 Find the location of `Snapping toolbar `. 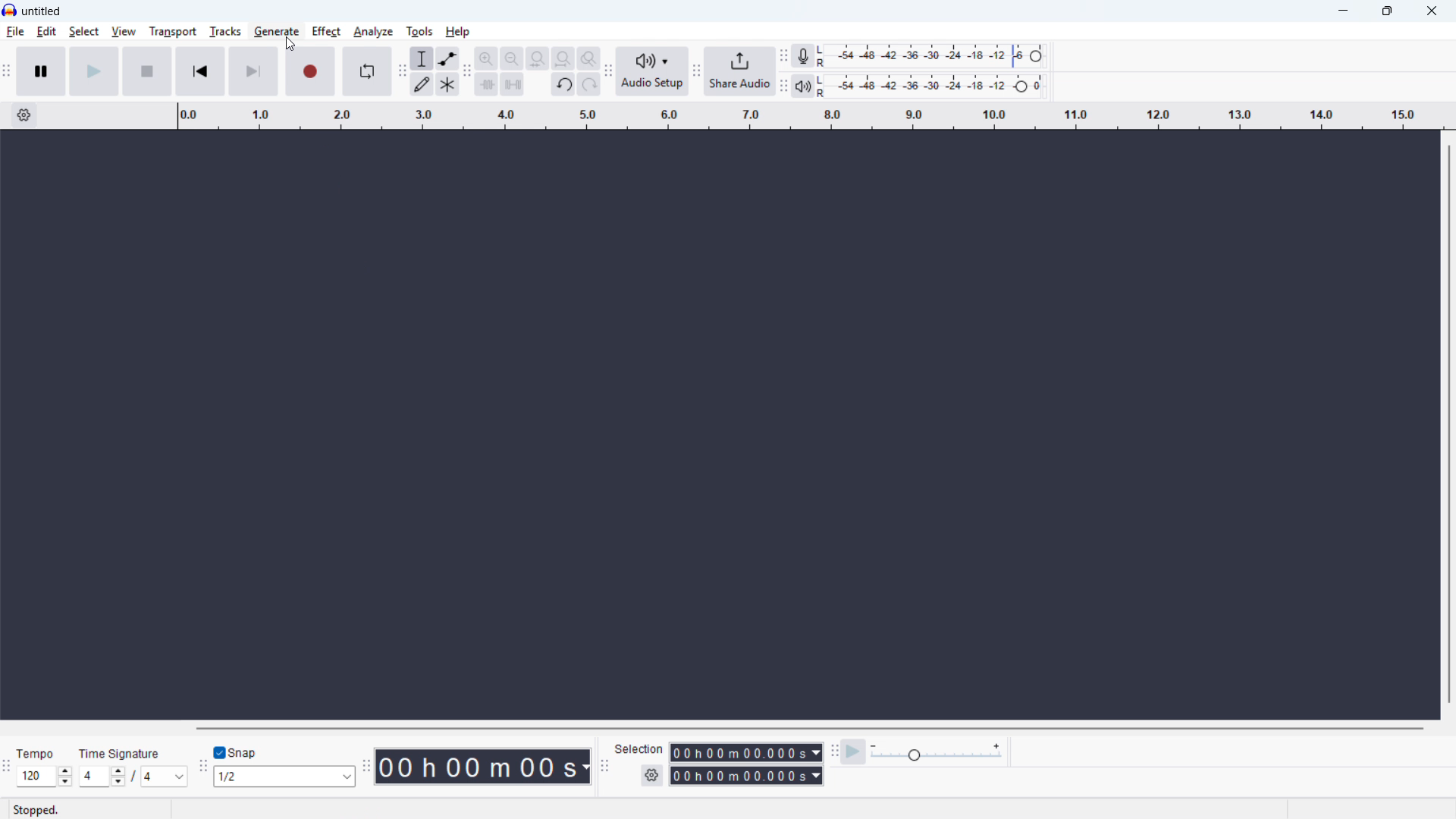

Snapping toolbar  is located at coordinates (203, 769).